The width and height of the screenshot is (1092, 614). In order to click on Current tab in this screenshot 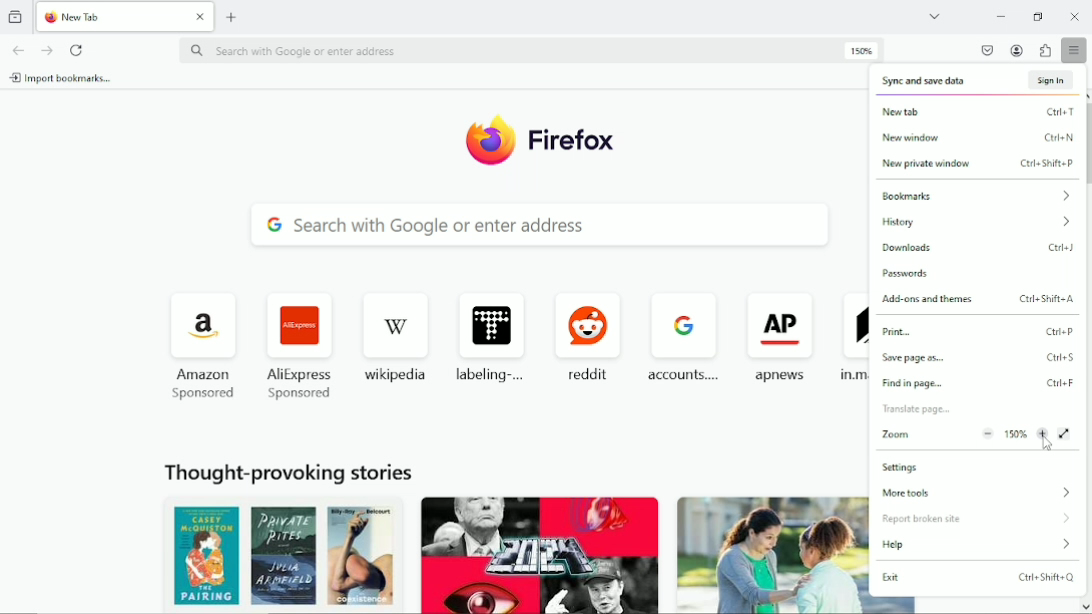, I will do `click(126, 18)`.